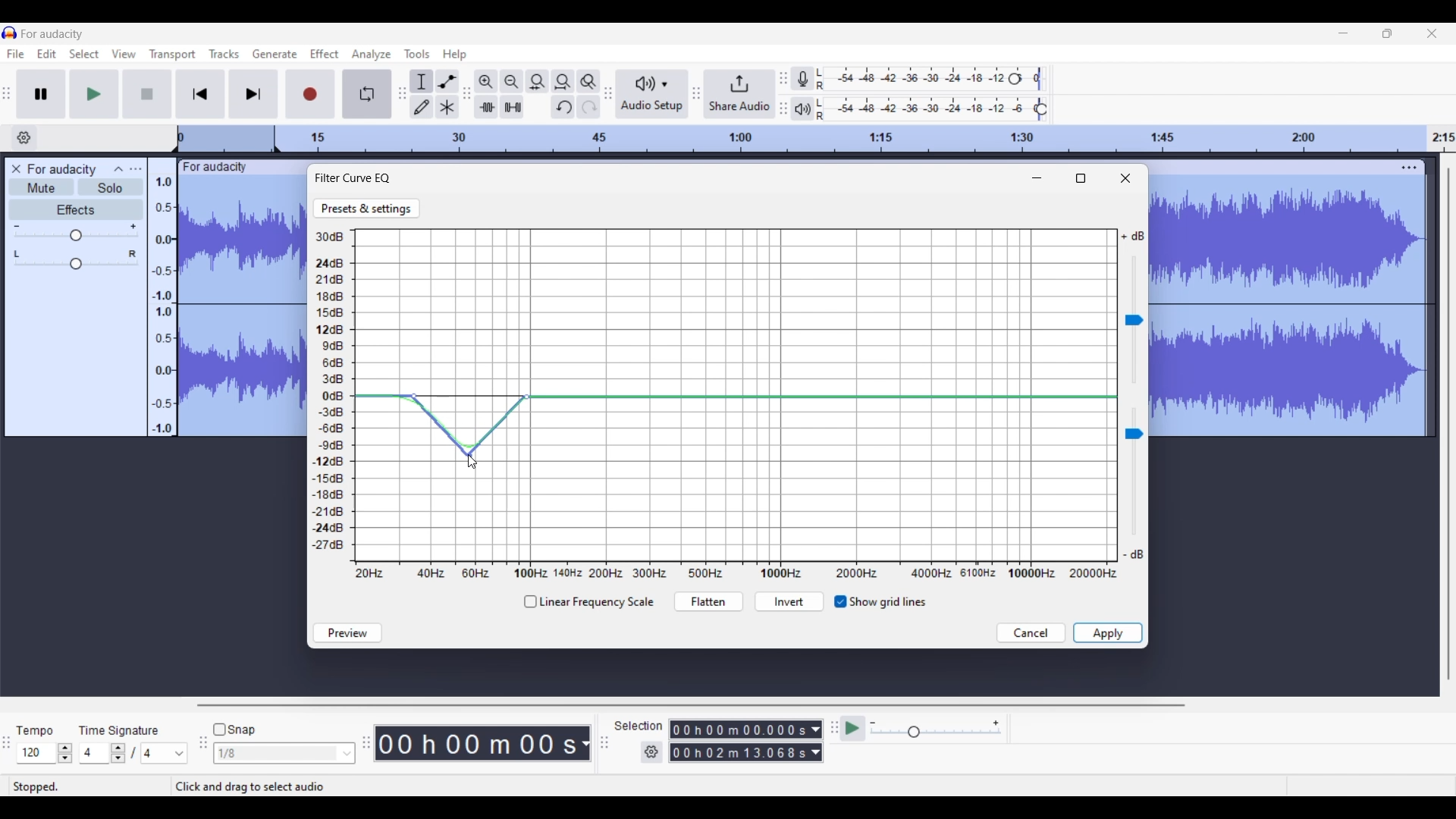 Image resolution: width=1456 pixels, height=819 pixels. Describe the element at coordinates (1042, 109) in the screenshot. I see `Playback level header` at that location.